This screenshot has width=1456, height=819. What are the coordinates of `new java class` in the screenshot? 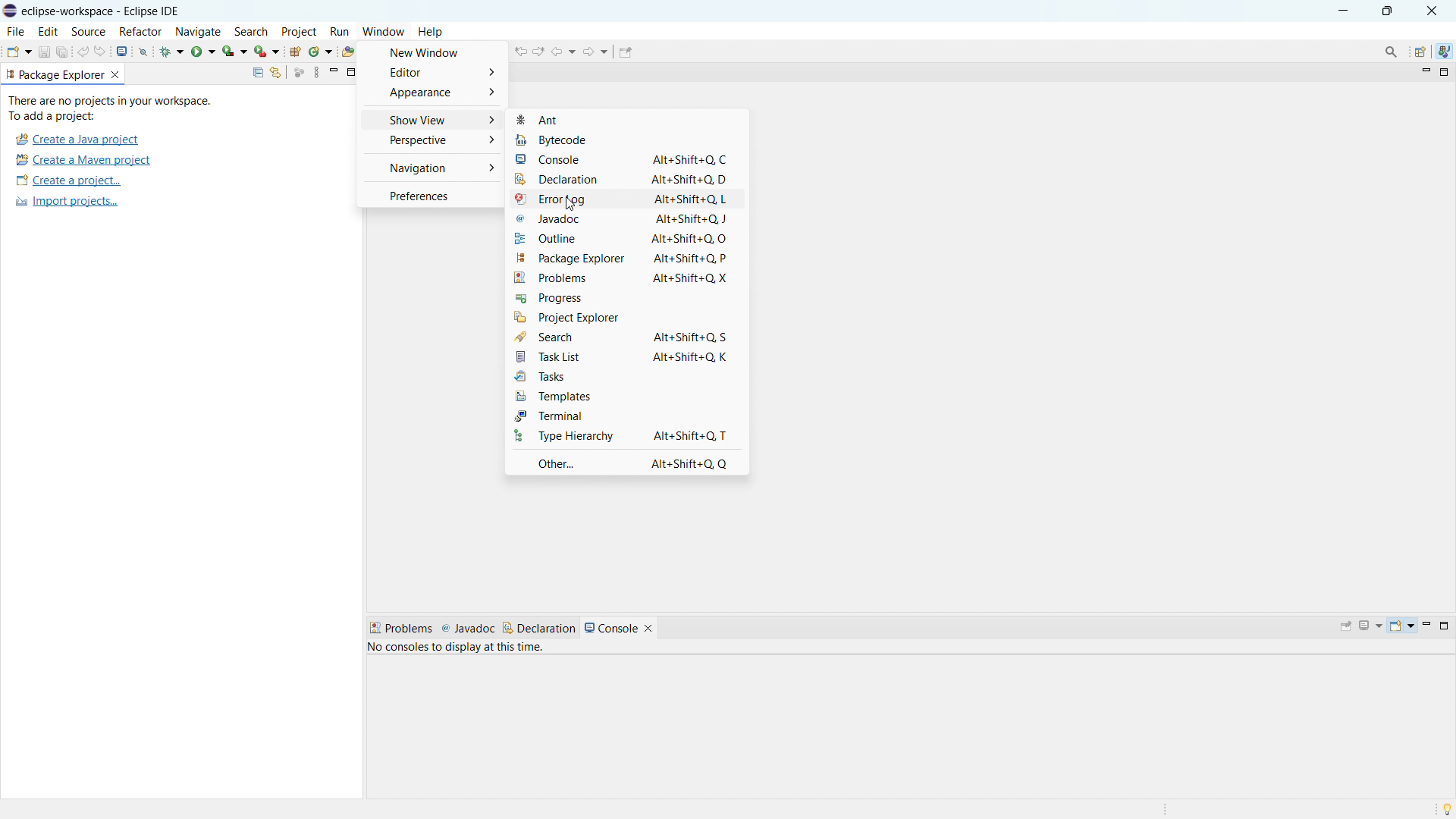 It's located at (321, 52).